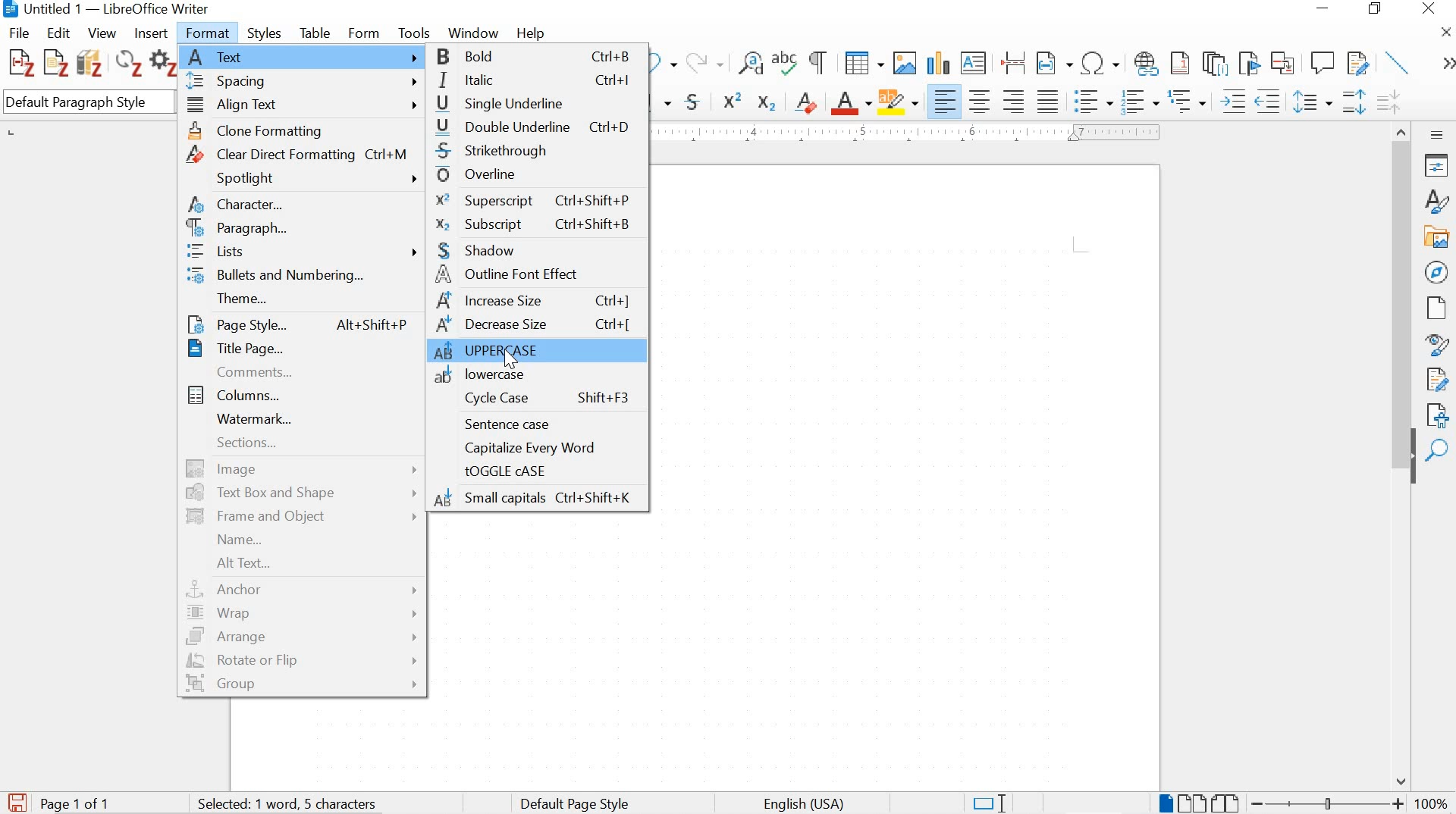 This screenshot has width=1456, height=814. Describe the element at coordinates (89, 62) in the screenshot. I see `add/edit bibliography` at that location.